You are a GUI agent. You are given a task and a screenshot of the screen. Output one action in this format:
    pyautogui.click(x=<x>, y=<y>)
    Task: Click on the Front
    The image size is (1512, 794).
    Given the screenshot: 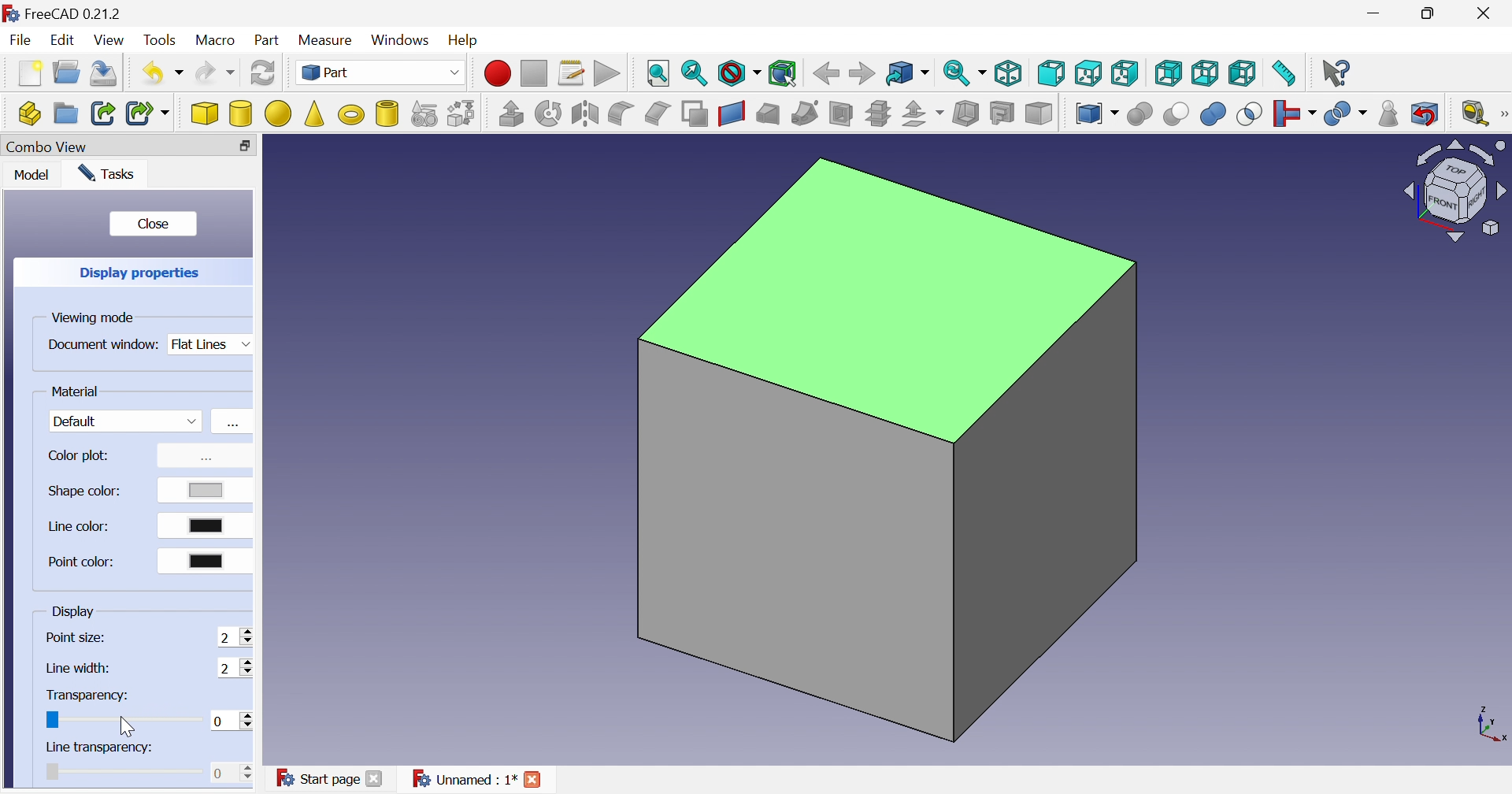 What is the action you would take?
    pyautogui.click(x=1051, y=75)
    